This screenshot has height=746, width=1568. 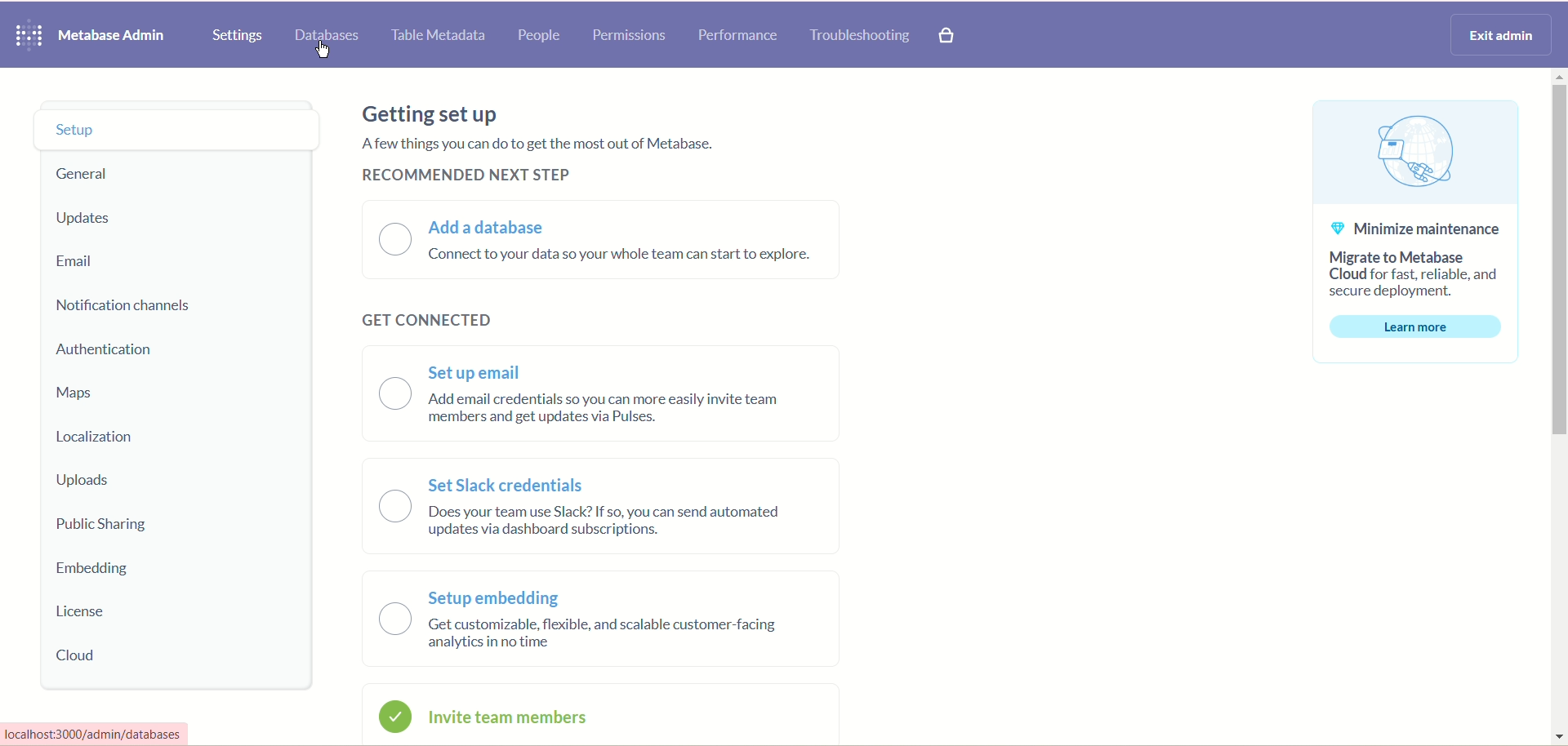 What do you see at coordinates (105, 527) in the screenshot?
I see `public sharing` at bounding box center [105, 527].